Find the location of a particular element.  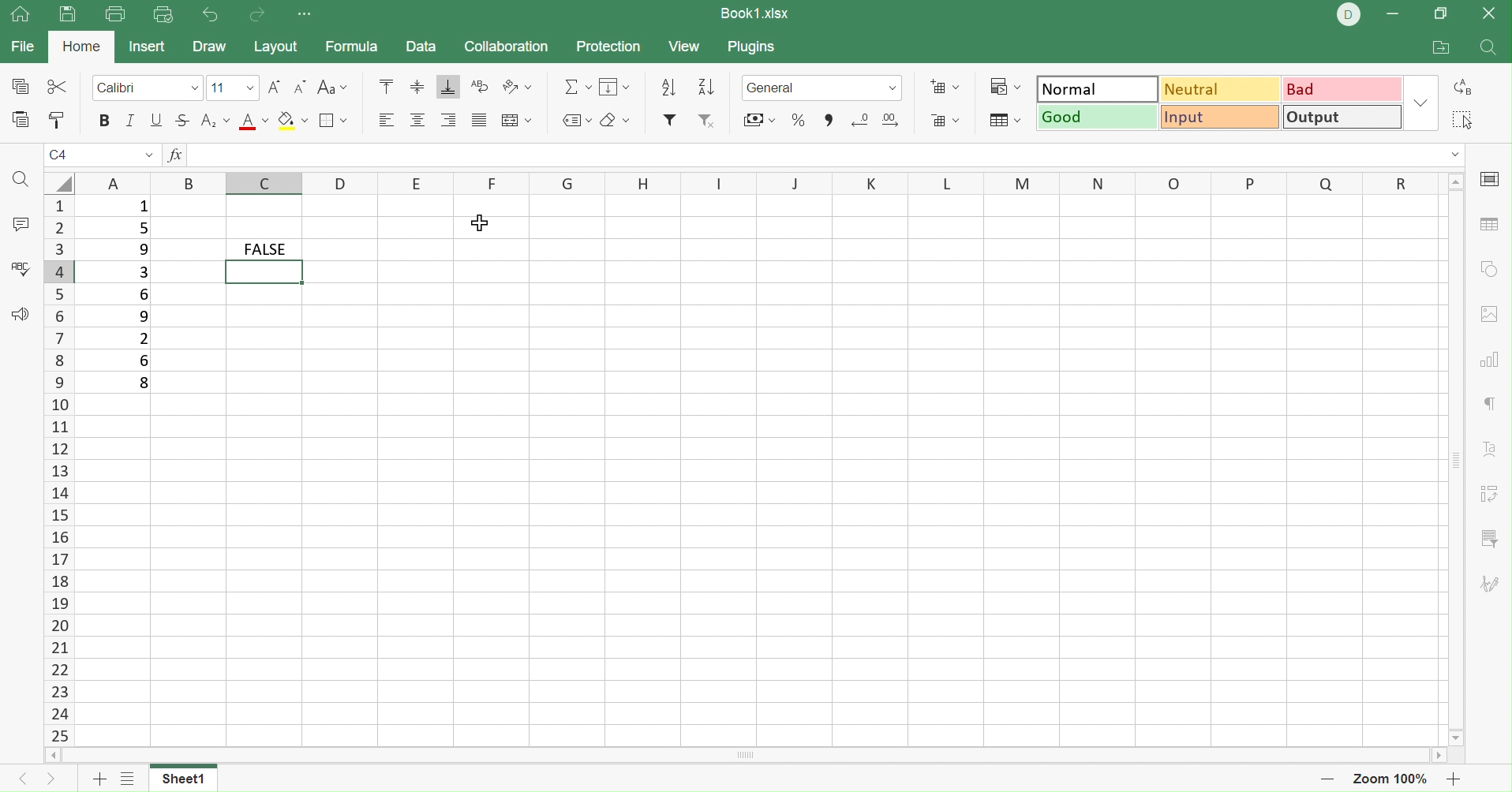

Sort ascending is located at coordinates (707, 84).